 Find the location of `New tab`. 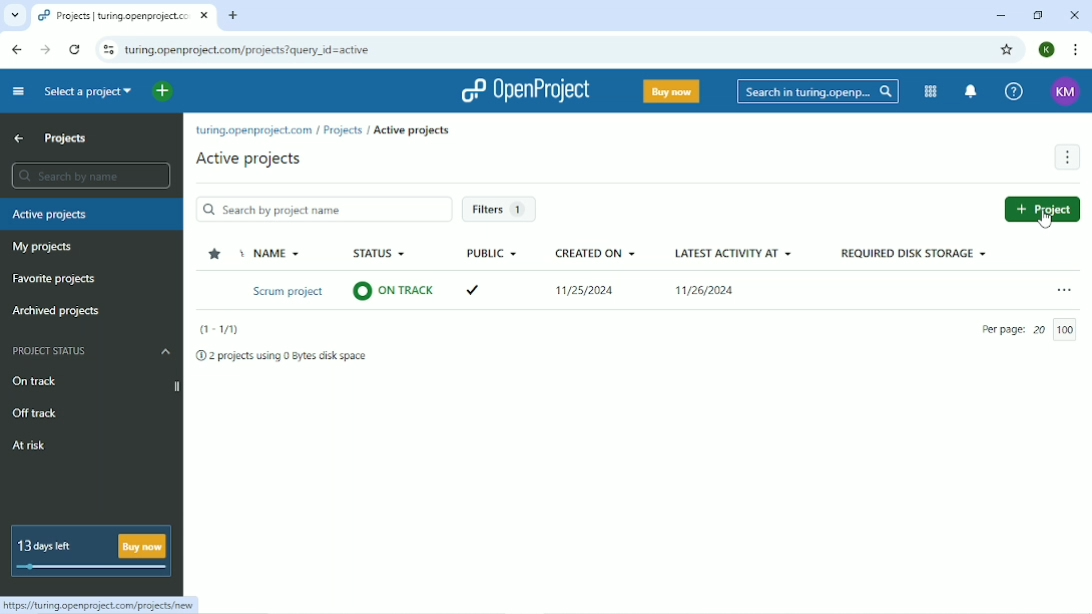

New tab is located at coordinates (234, 15).